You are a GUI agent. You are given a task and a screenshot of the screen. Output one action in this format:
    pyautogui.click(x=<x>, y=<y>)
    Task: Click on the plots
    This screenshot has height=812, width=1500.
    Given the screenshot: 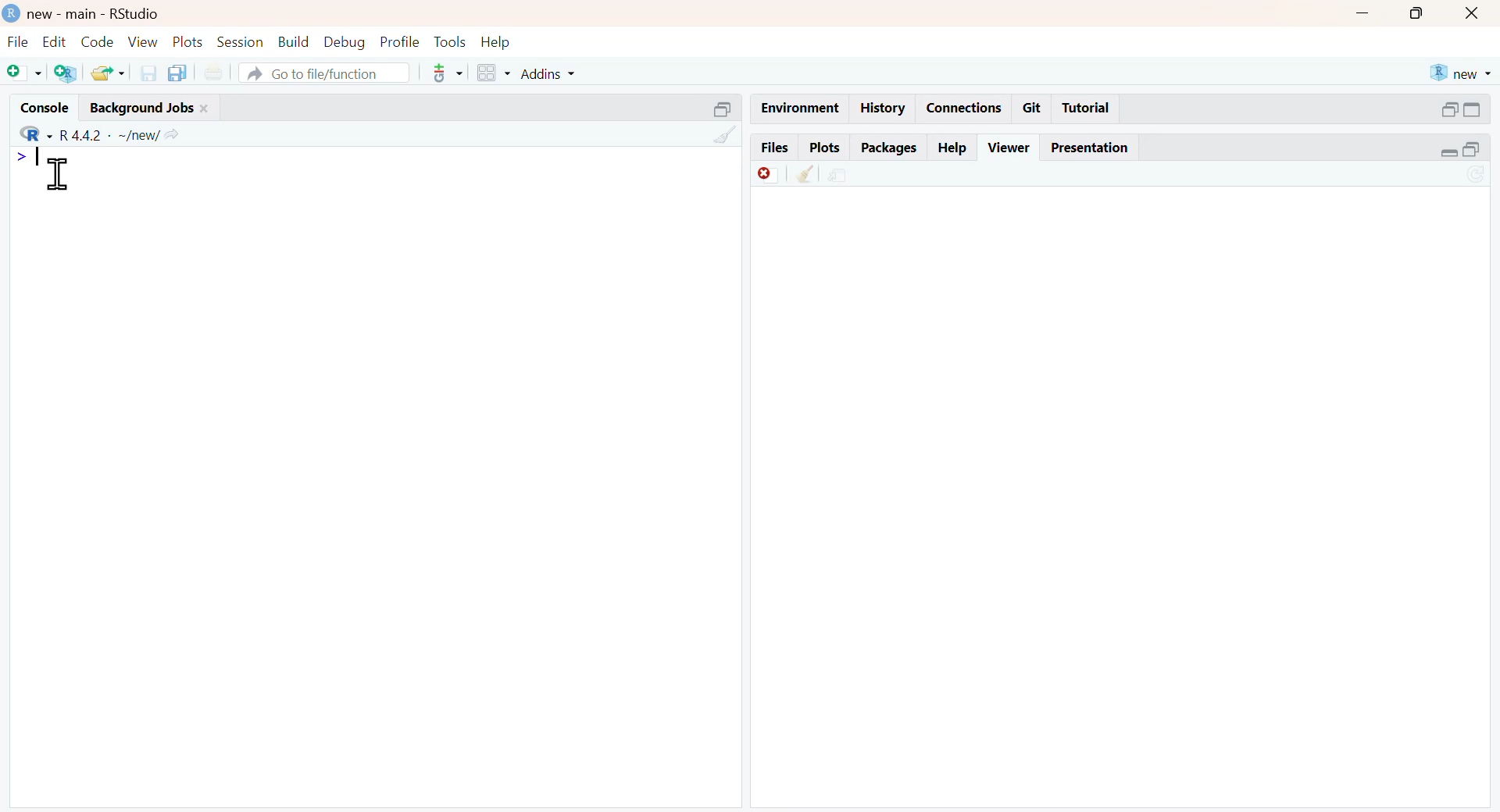 What is the action you would take?
    pyautogui.click(x=187, y=40)
    